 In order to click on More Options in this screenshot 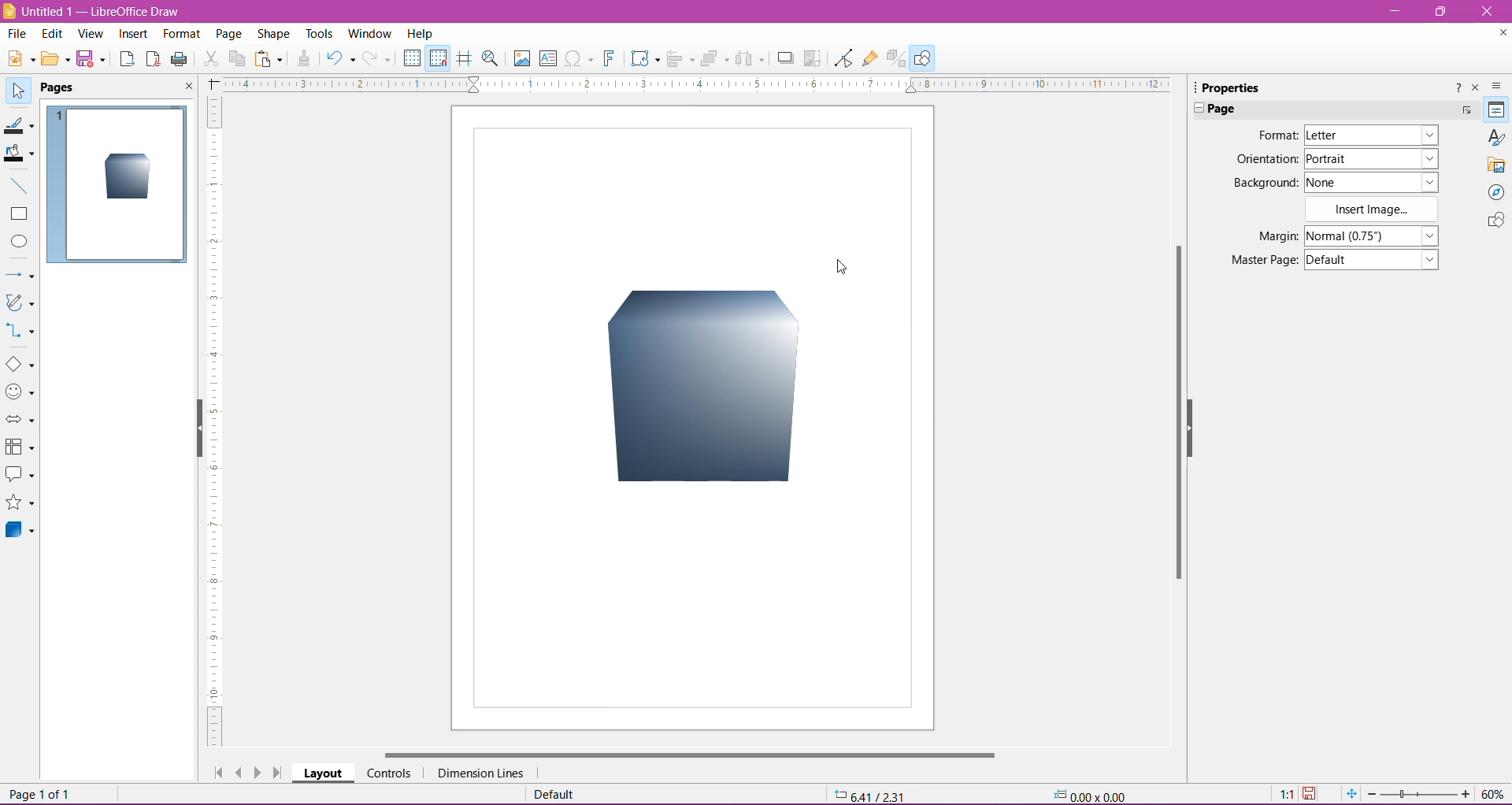, I will do `click(1469, 108)`.